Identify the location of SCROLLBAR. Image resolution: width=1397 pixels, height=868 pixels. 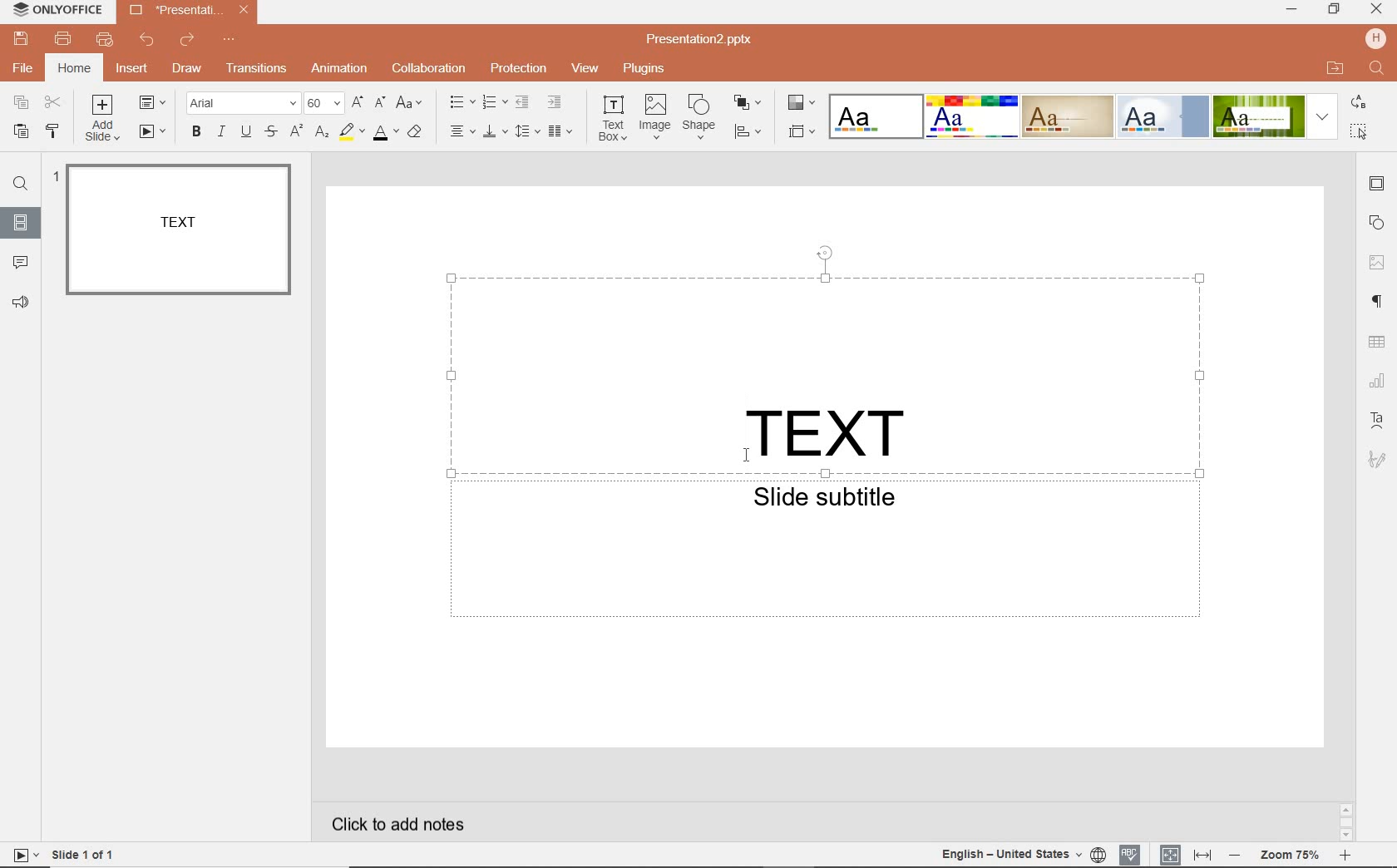
(1345, 821).